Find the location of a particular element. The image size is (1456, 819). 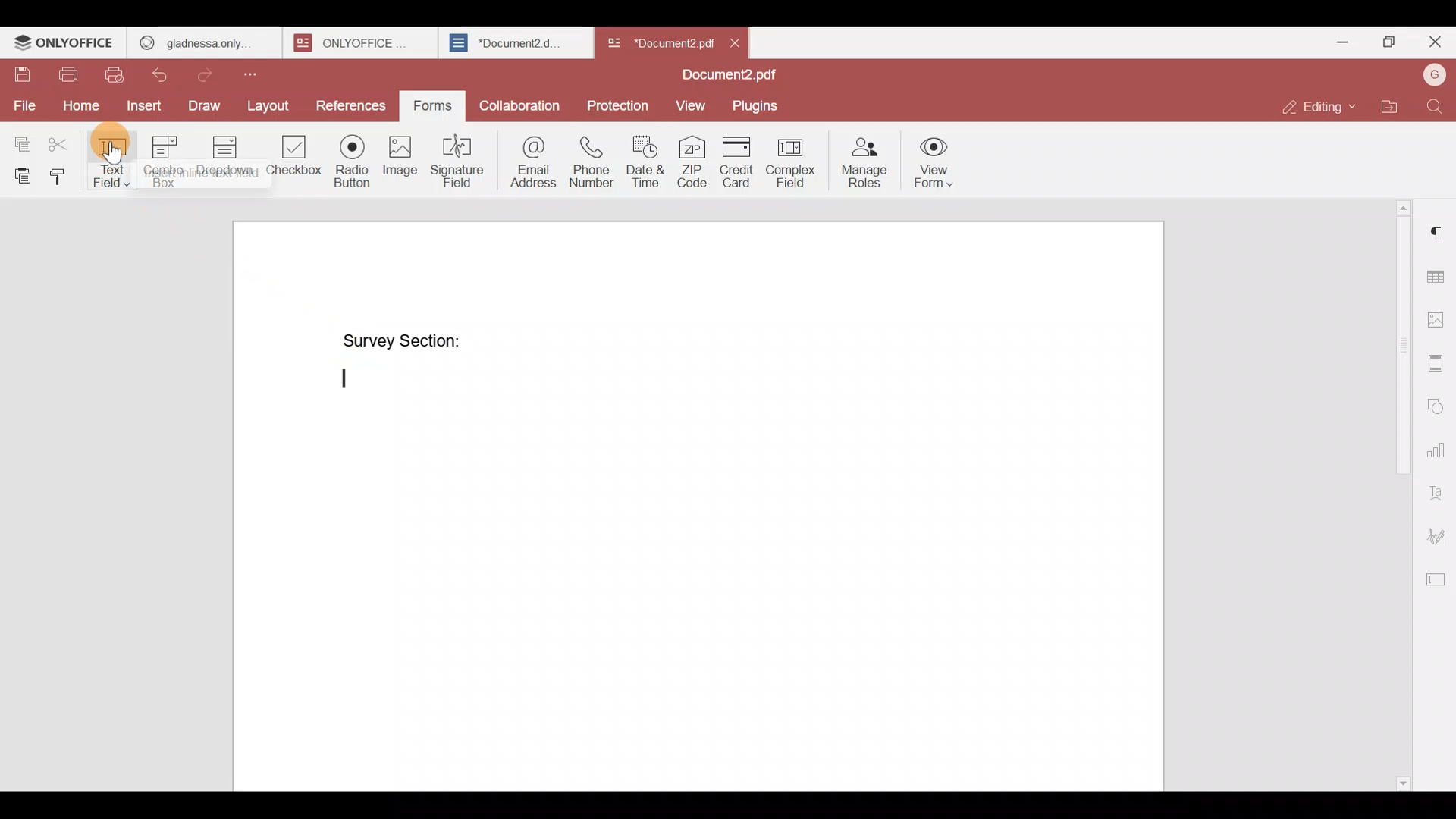

Open file location is located at coordinates (1396, 108).